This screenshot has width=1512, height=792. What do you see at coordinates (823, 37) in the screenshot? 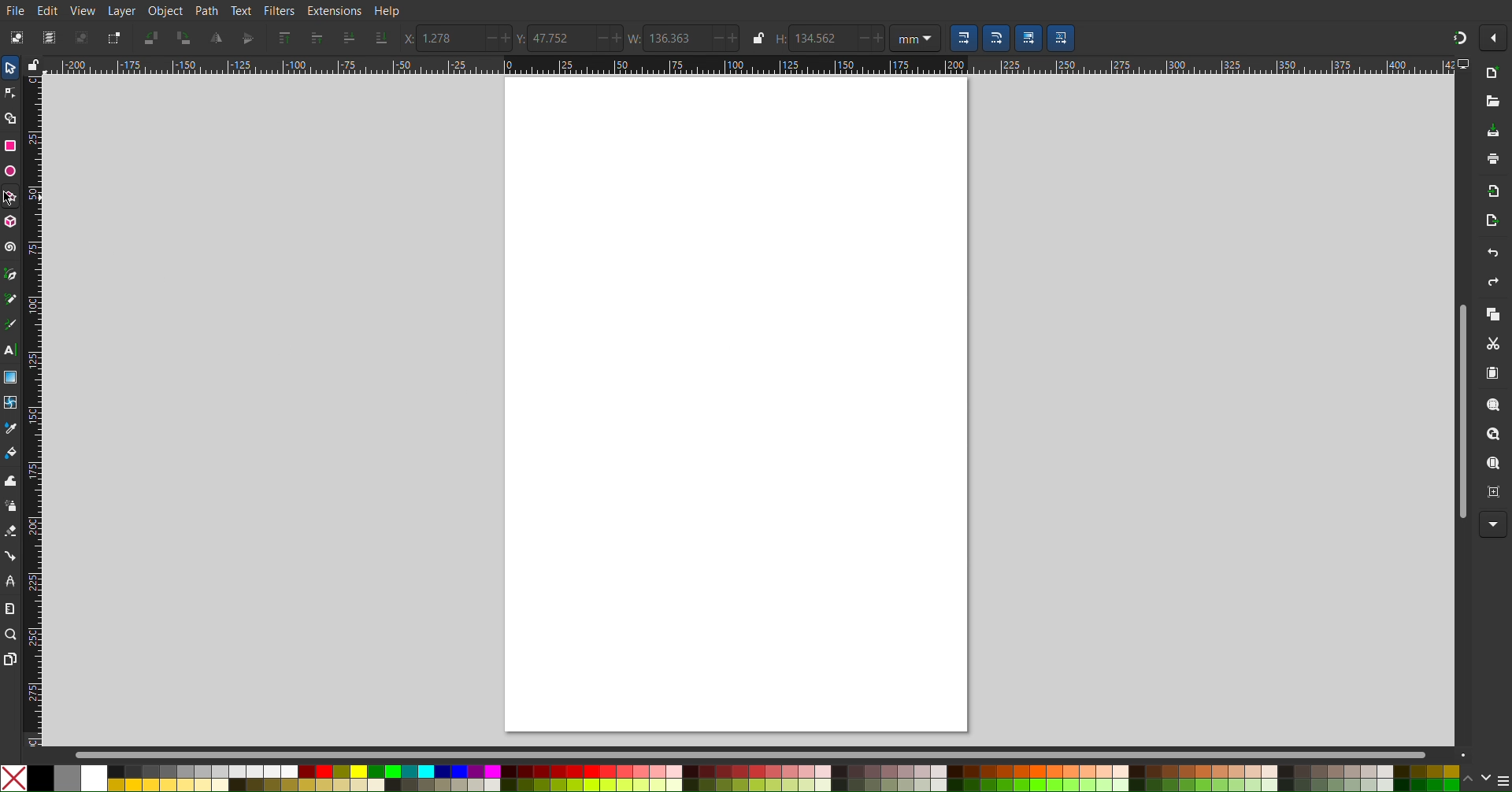
I see `134` at bounding box center [823, 37].